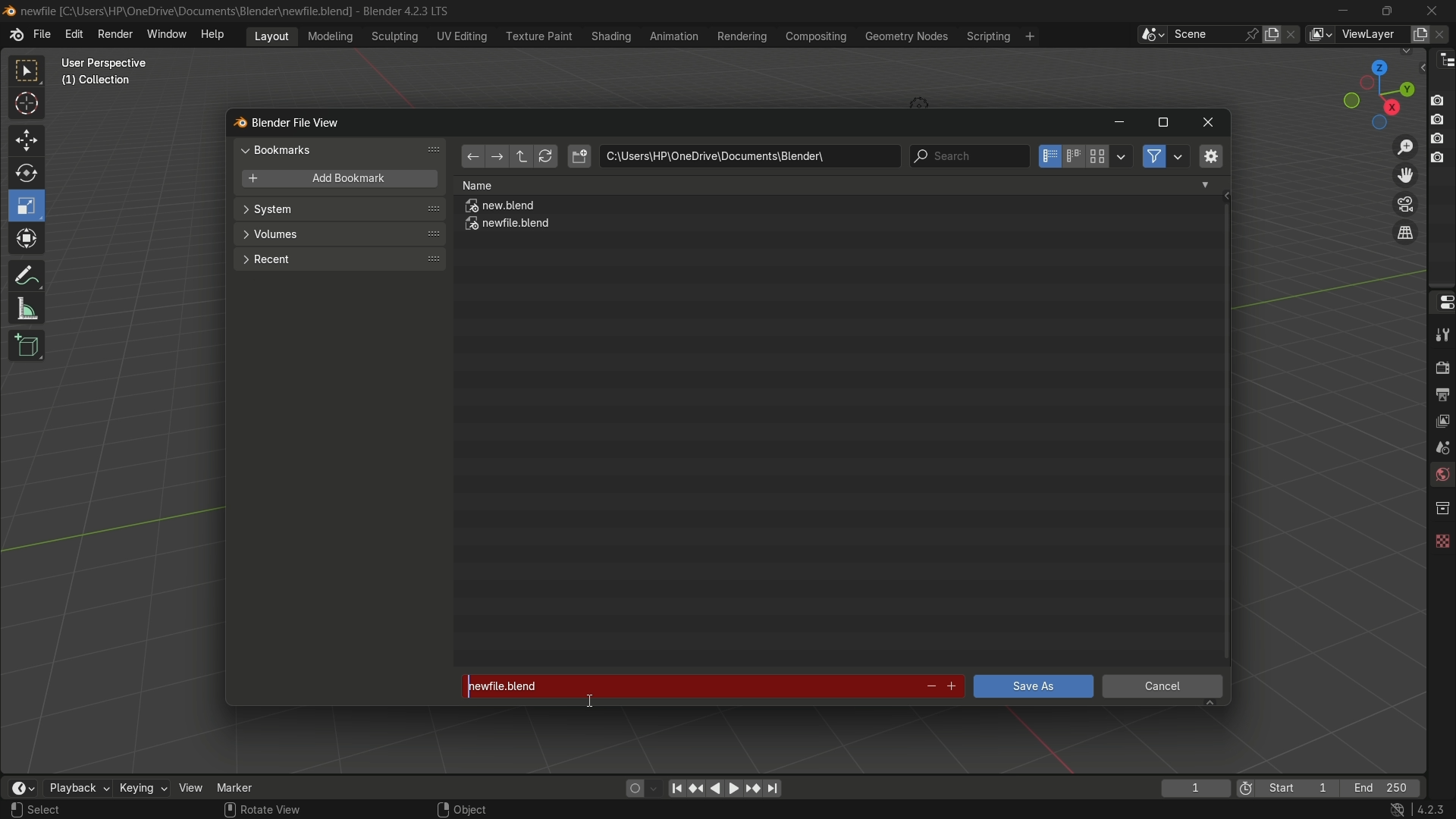 This screenshot has width=1456, height=819. Describe the element at coordinates (749, 156) in the screenshot. I see `location` at that location.